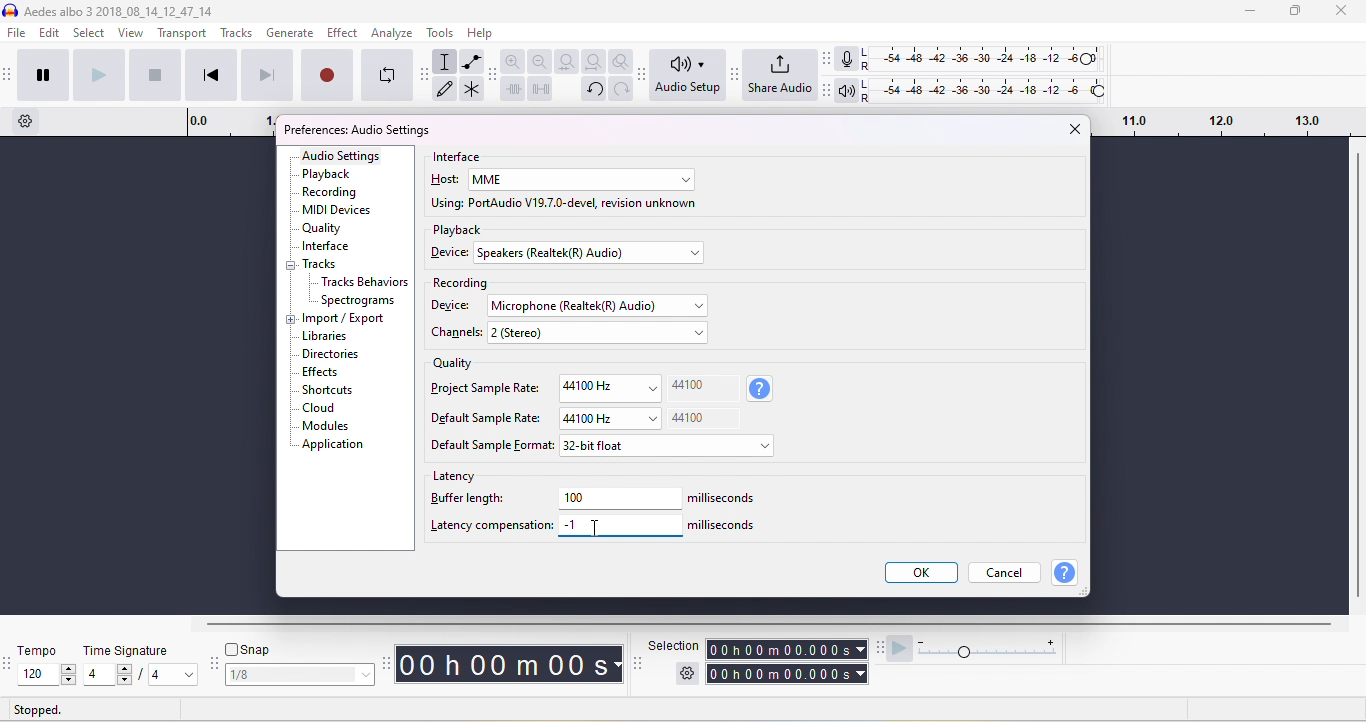 This screenshot has height=722, width=1366. Describe the element at coordinates (511, 665) in the screenshot. I see `audacity time` at that location.